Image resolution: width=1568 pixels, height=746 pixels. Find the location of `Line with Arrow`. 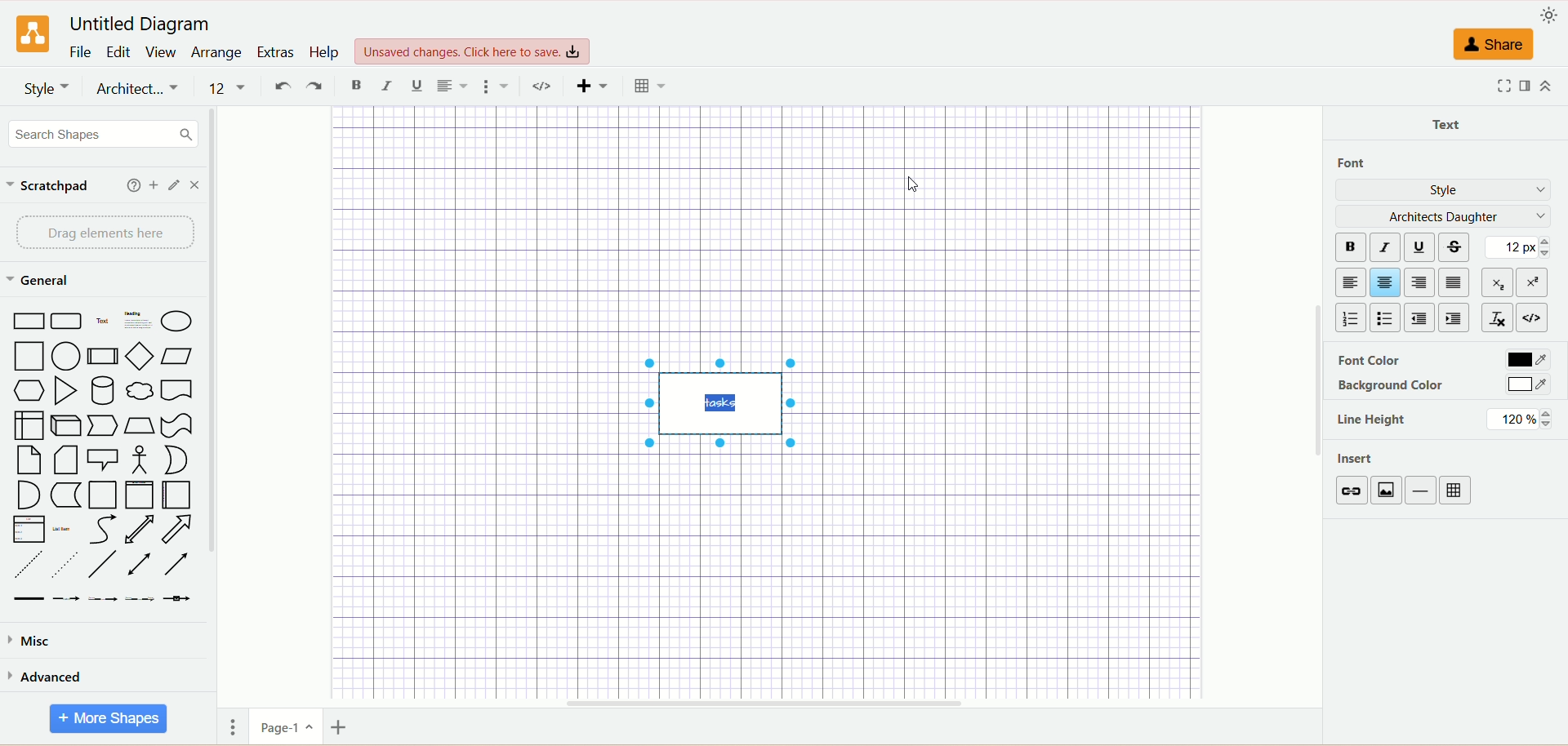

Line with Arrow is located at coordinates (178, 565).